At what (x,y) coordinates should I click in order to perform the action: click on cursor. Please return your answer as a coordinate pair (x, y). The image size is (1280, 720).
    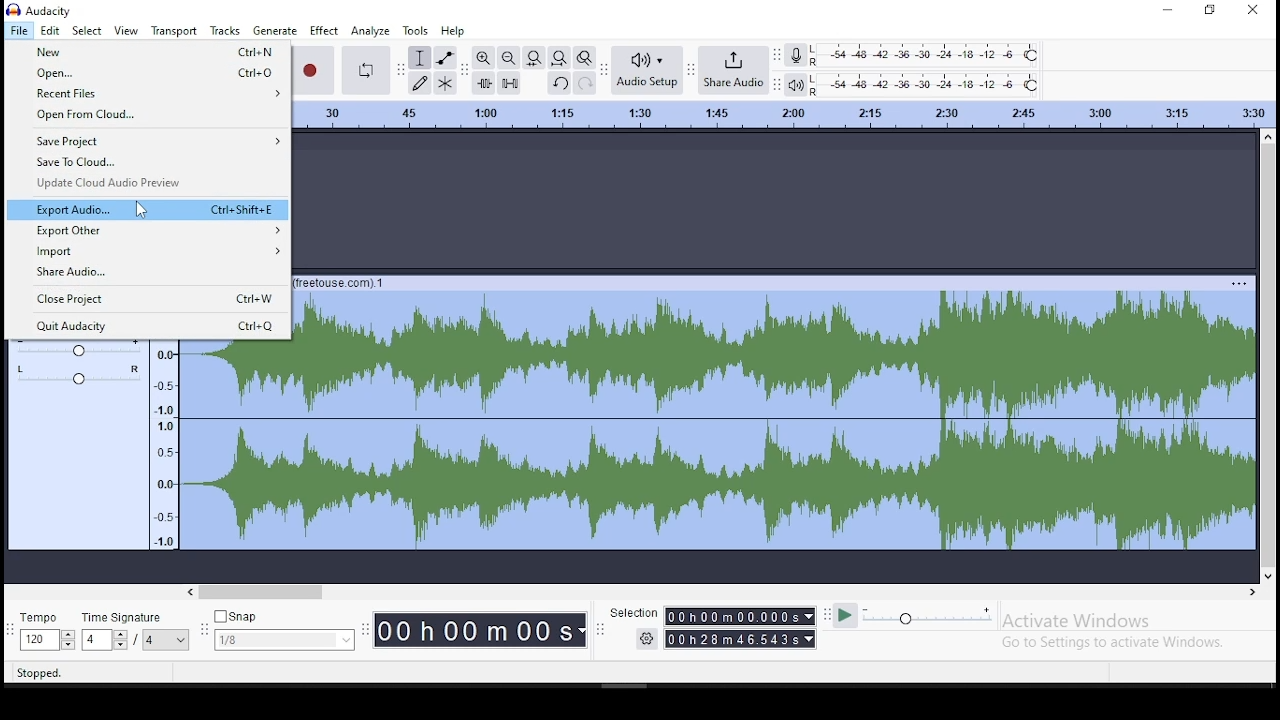
    Looking at the image, I should click on (143, 209).